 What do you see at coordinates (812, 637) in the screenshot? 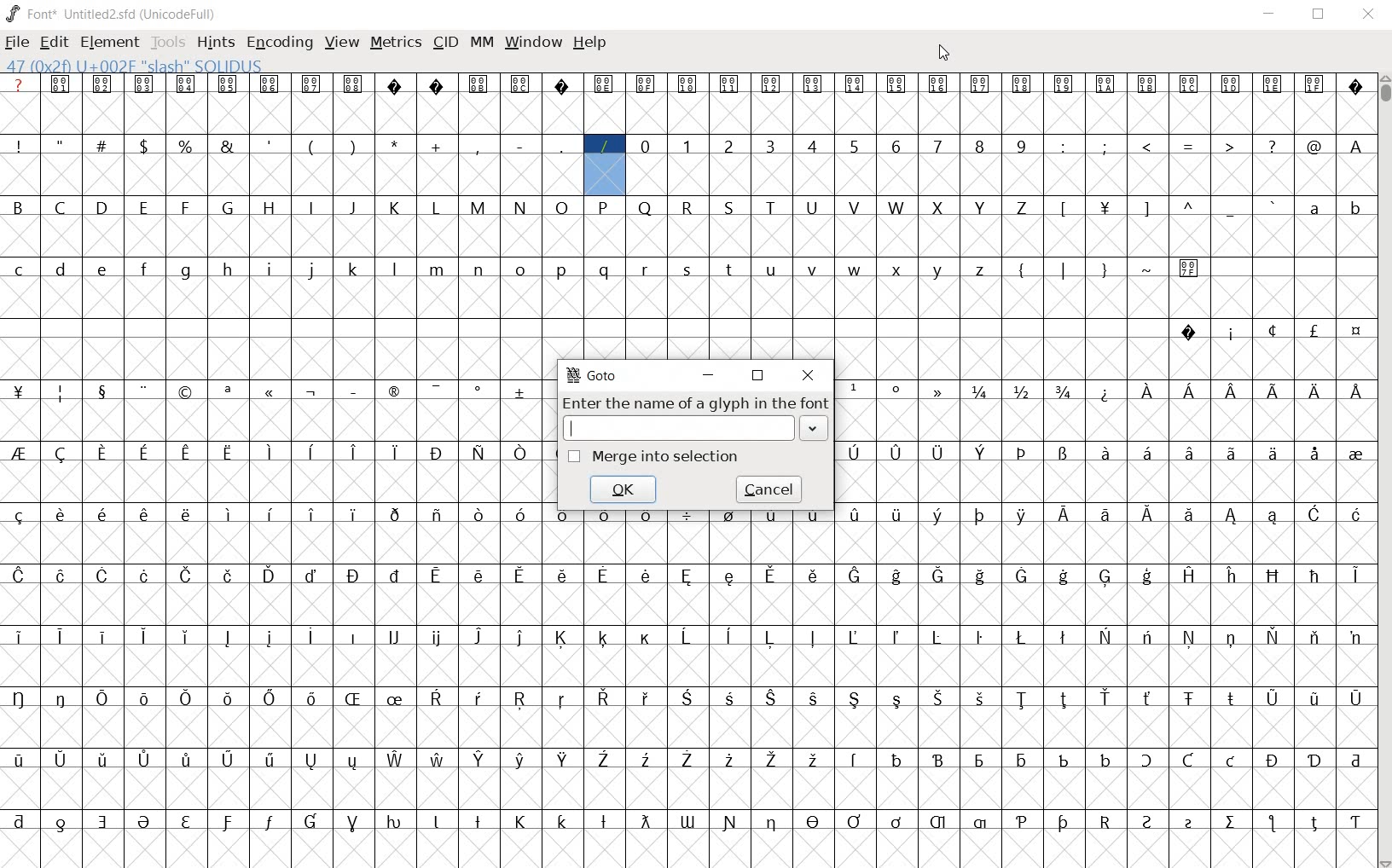
I see `glyph` at bounding box center [812, 637].